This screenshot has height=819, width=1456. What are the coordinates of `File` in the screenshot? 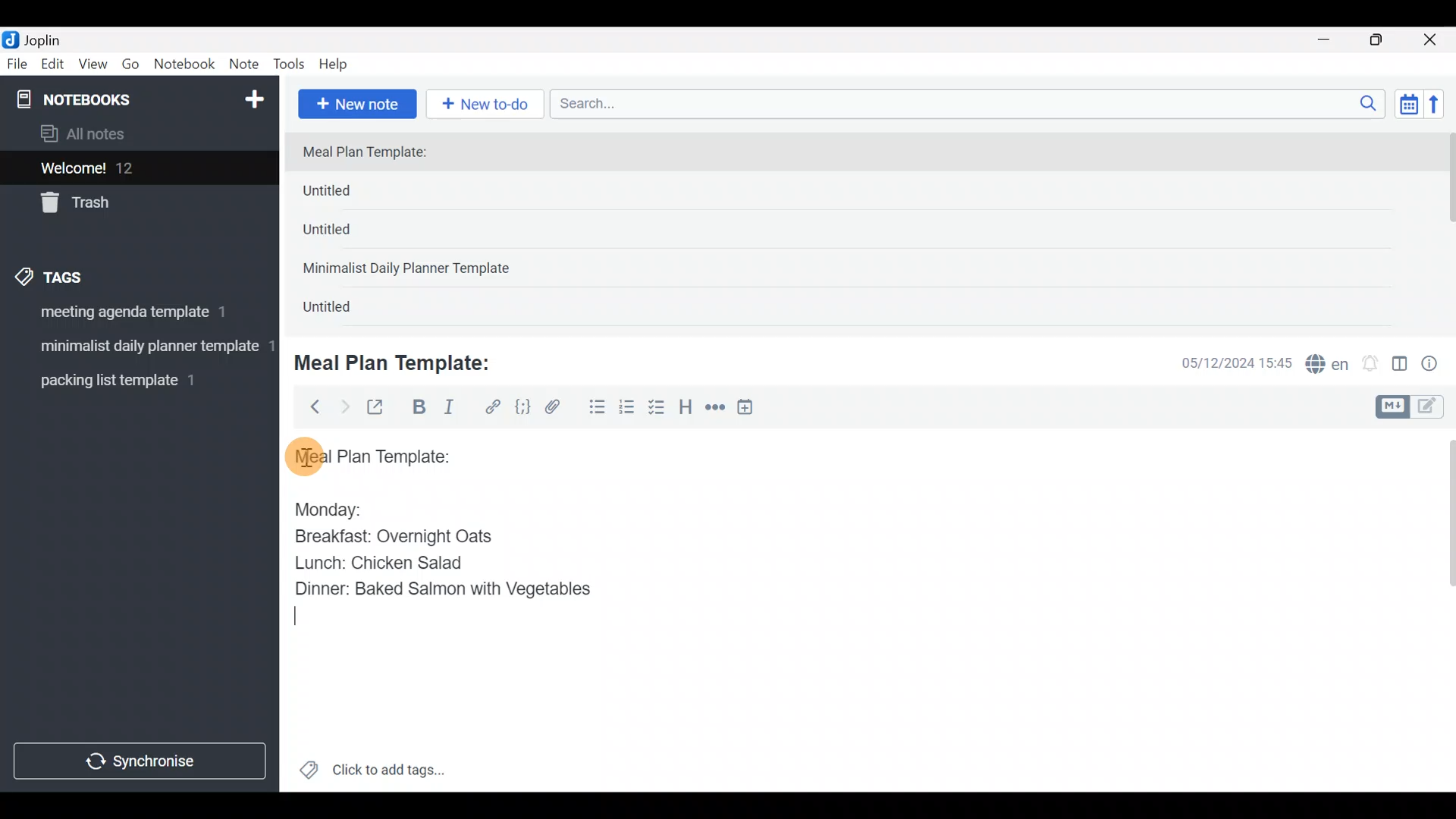 It's located at (18, 64).